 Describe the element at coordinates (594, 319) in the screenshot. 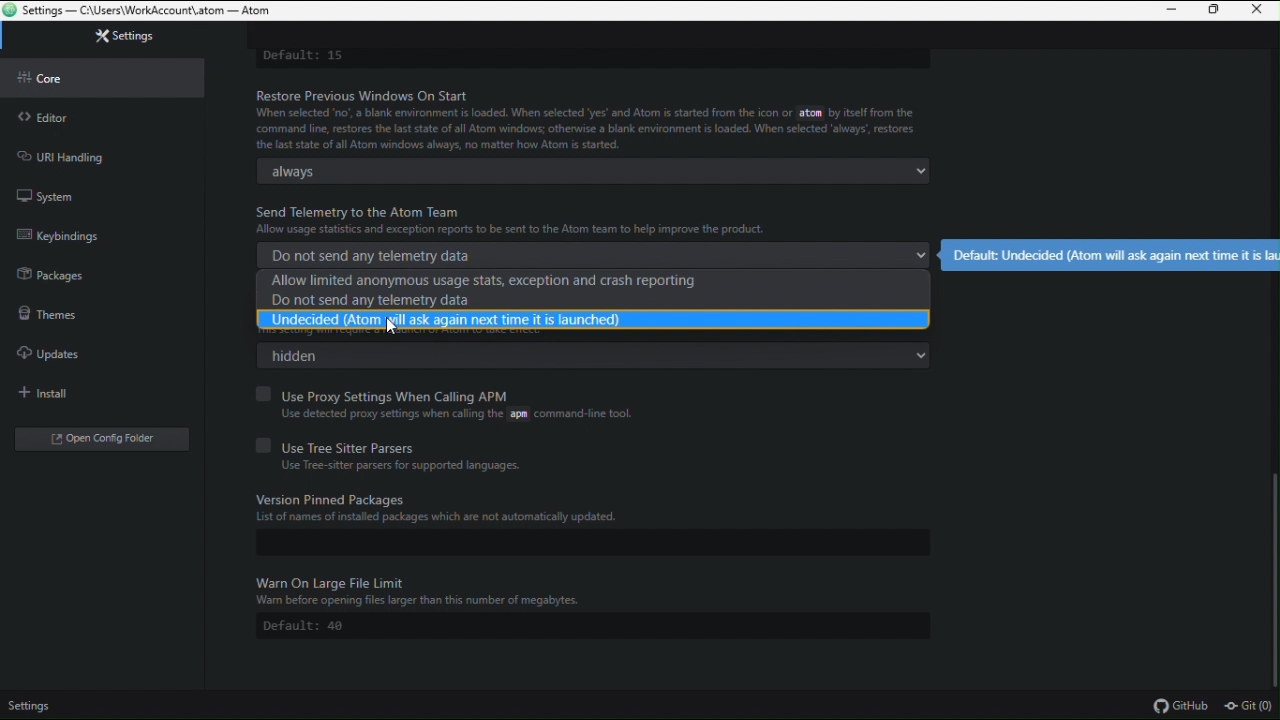

I see `undecided(Atom will ask again next time it is launched.` at that location.